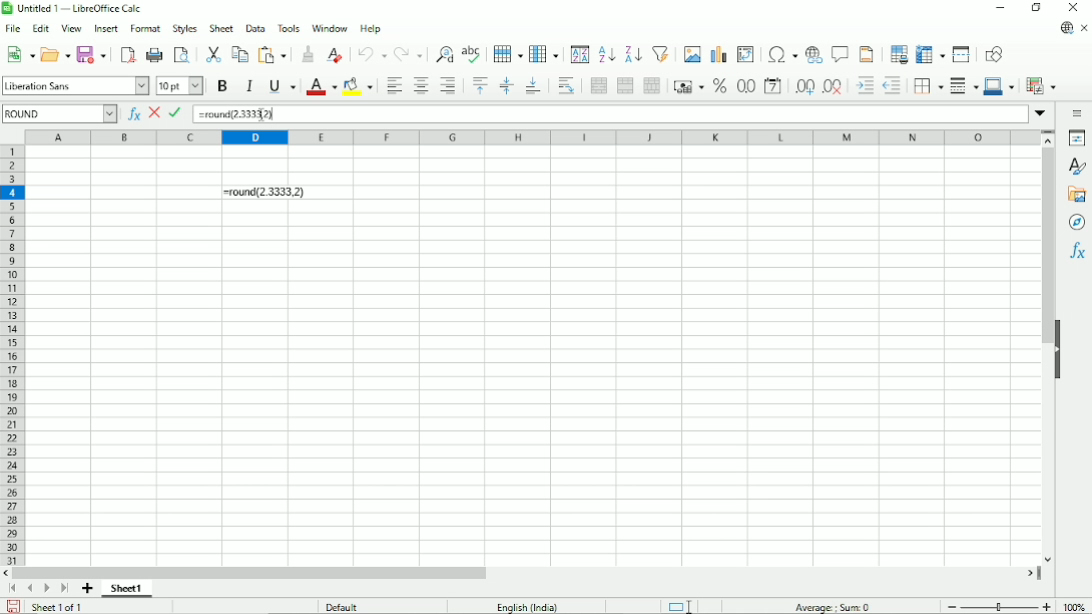 The image size is (1092, 614). What do you see at coordinates (1077, 195) in the screenshot?
I see `Gallery` at bounding box center [1077, 195].